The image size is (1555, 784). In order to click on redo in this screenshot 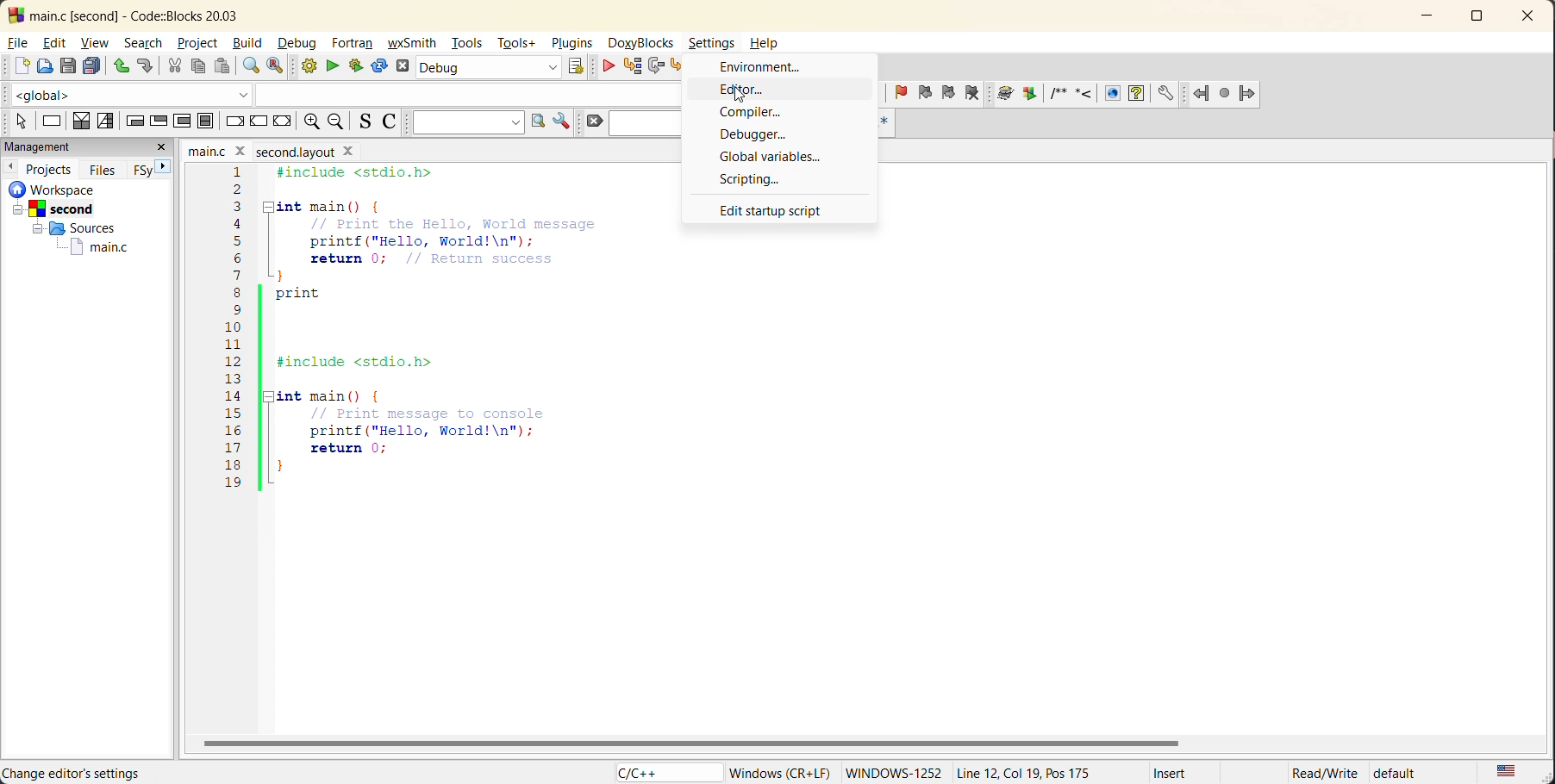, I will do `click(146, 68)`.